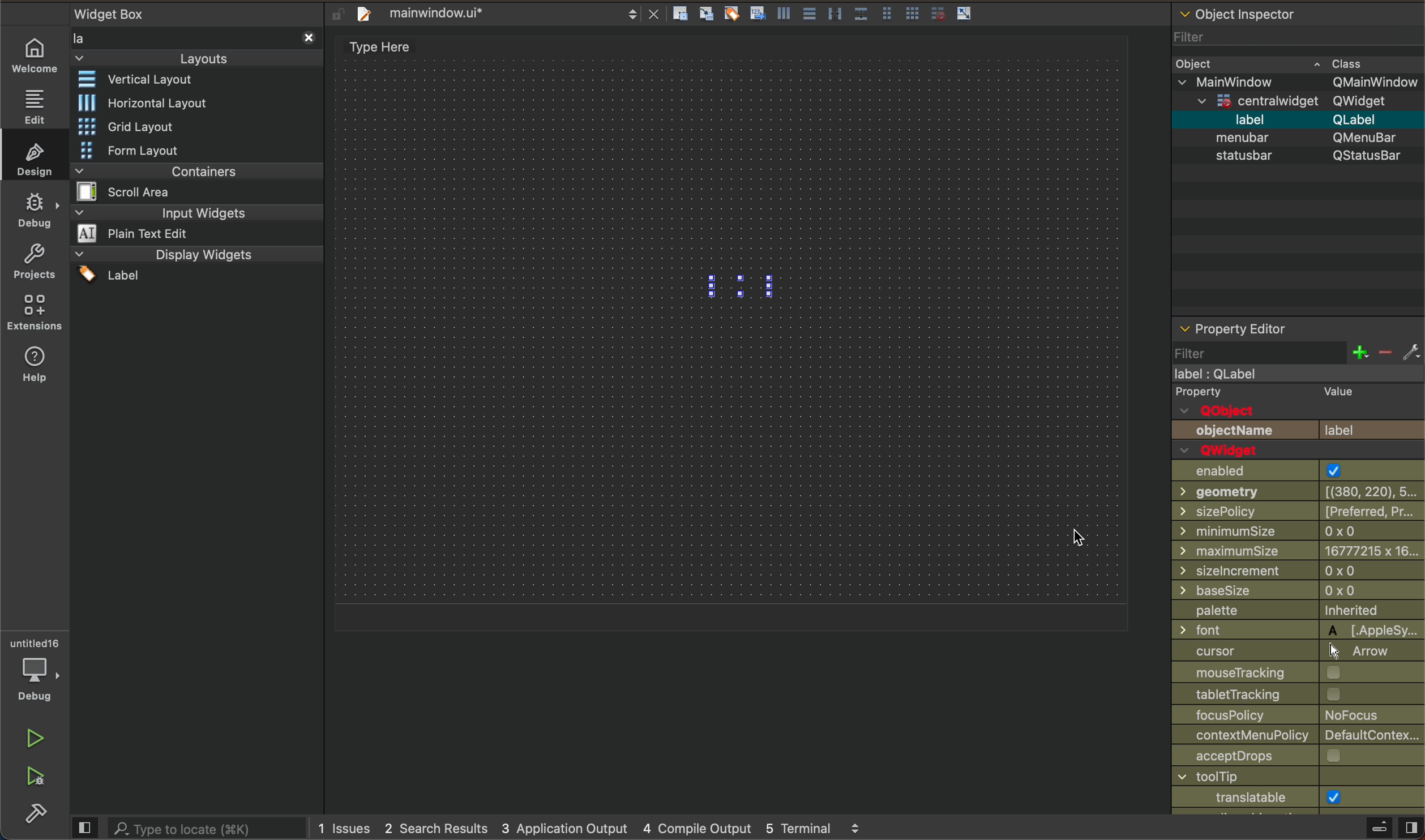 The height and width of the screenshot is (840, 1425). What do you see at coordinates (1298, 342) in the screenshot?
I see `property editor` at bounding box center [1298, 342].